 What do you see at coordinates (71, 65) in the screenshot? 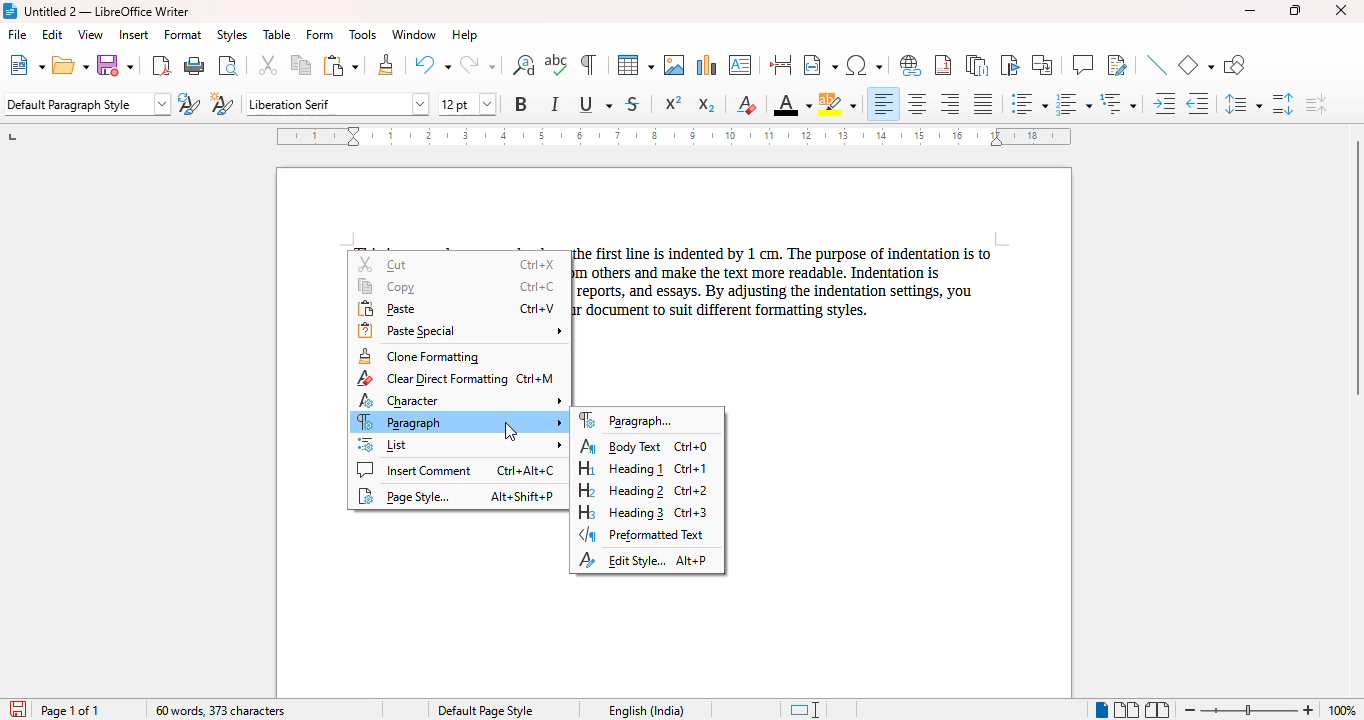
I see `open` at bounding box center [71, 65].